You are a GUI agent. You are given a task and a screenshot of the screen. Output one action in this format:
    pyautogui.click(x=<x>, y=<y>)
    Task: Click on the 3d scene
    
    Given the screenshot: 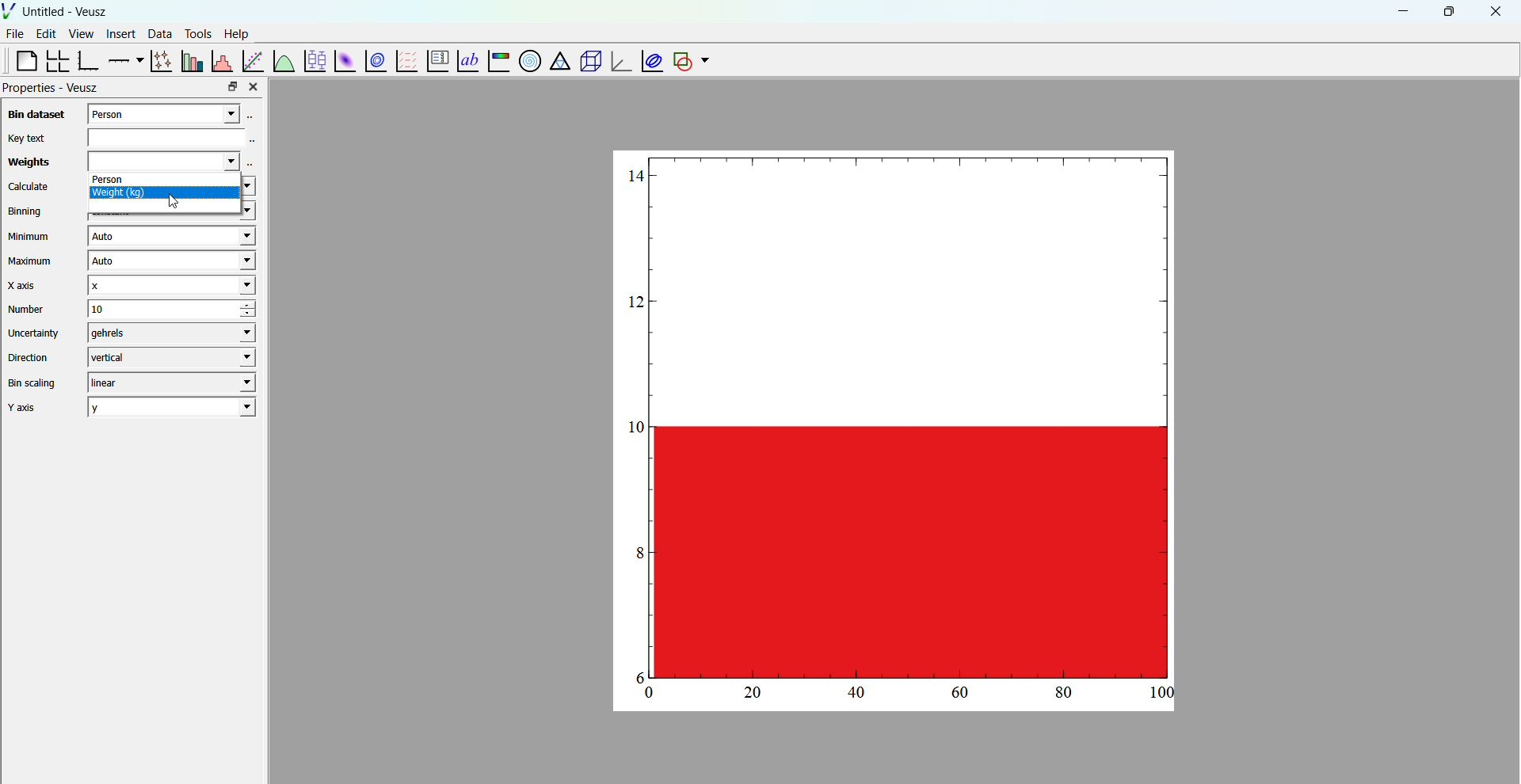 What is the action you would take?
    pyautogui.click(x=588, y=62)
    